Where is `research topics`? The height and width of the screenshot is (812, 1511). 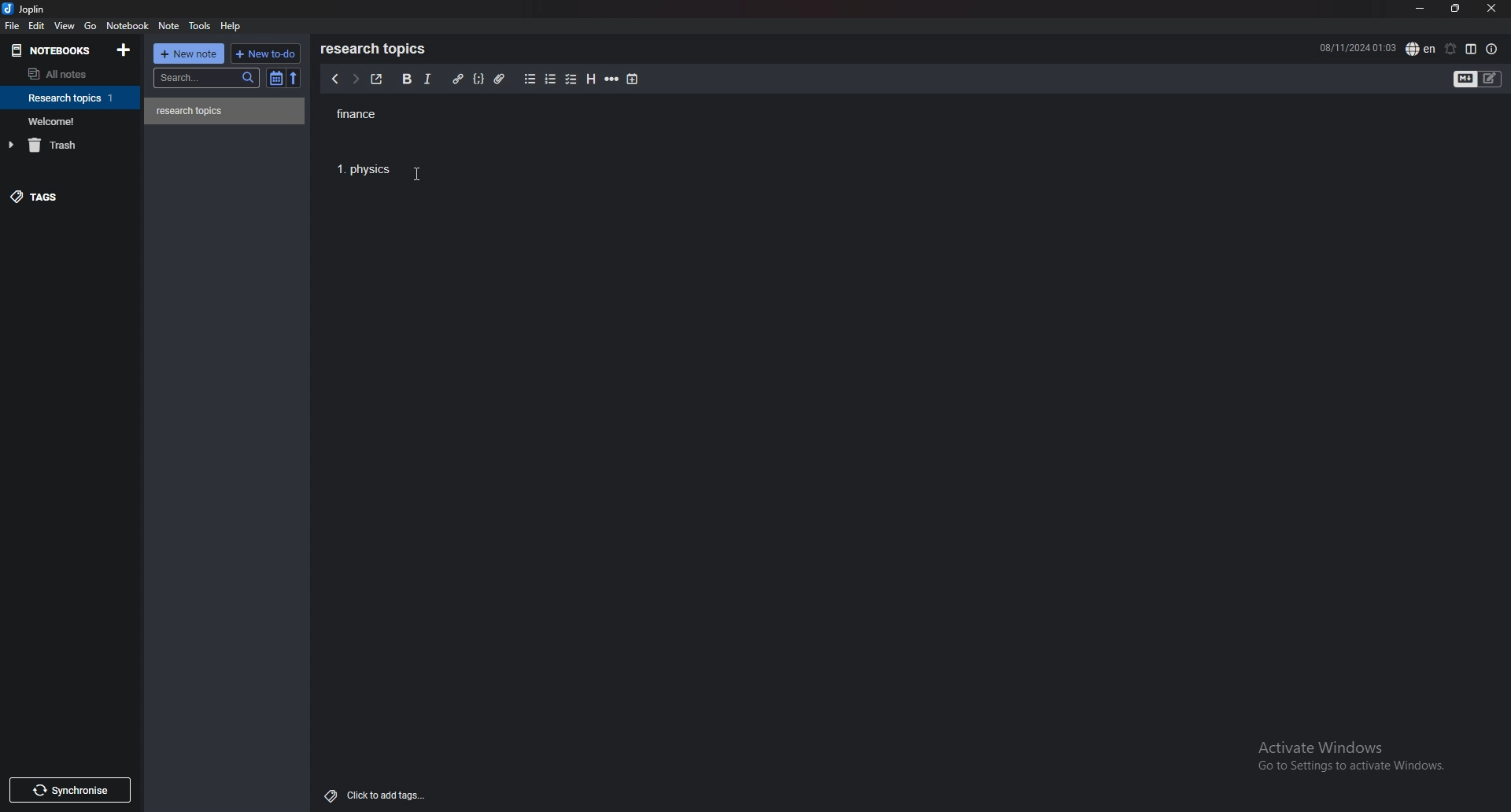 research topics is located at coordinates (376, 49).